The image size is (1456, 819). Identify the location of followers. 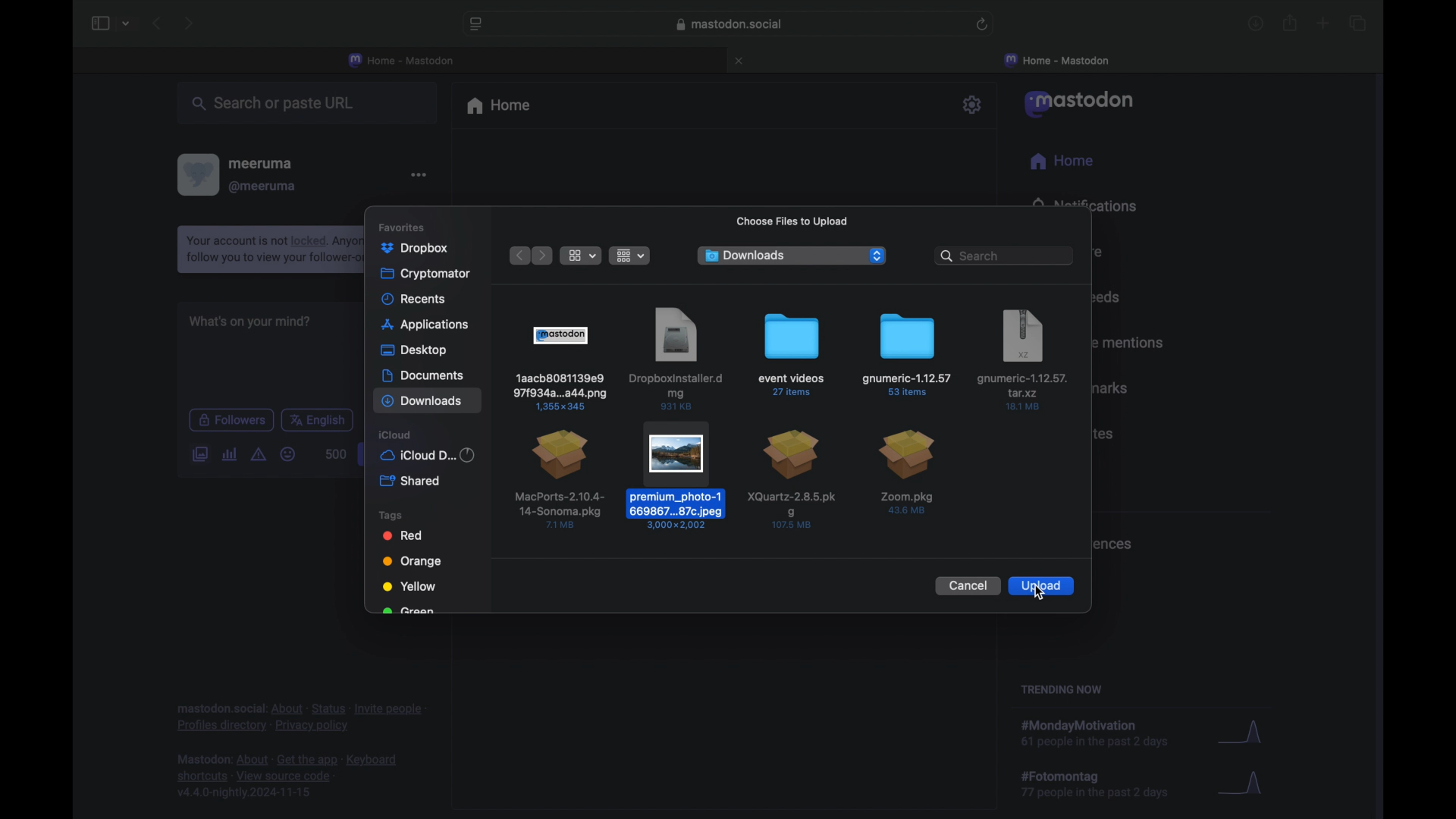
(231, 420).